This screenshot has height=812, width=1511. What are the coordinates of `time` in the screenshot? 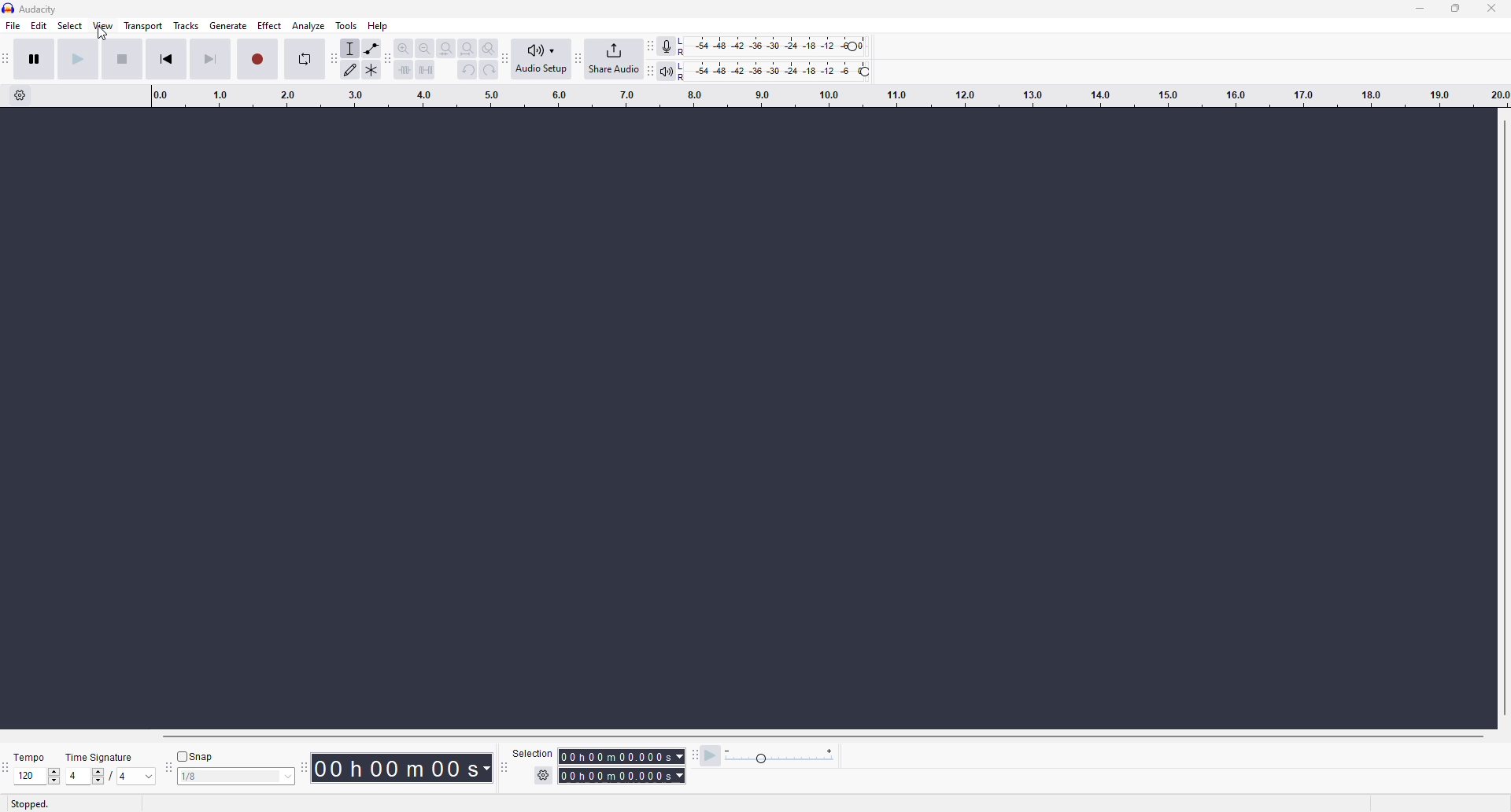 It's located at (404, 766).